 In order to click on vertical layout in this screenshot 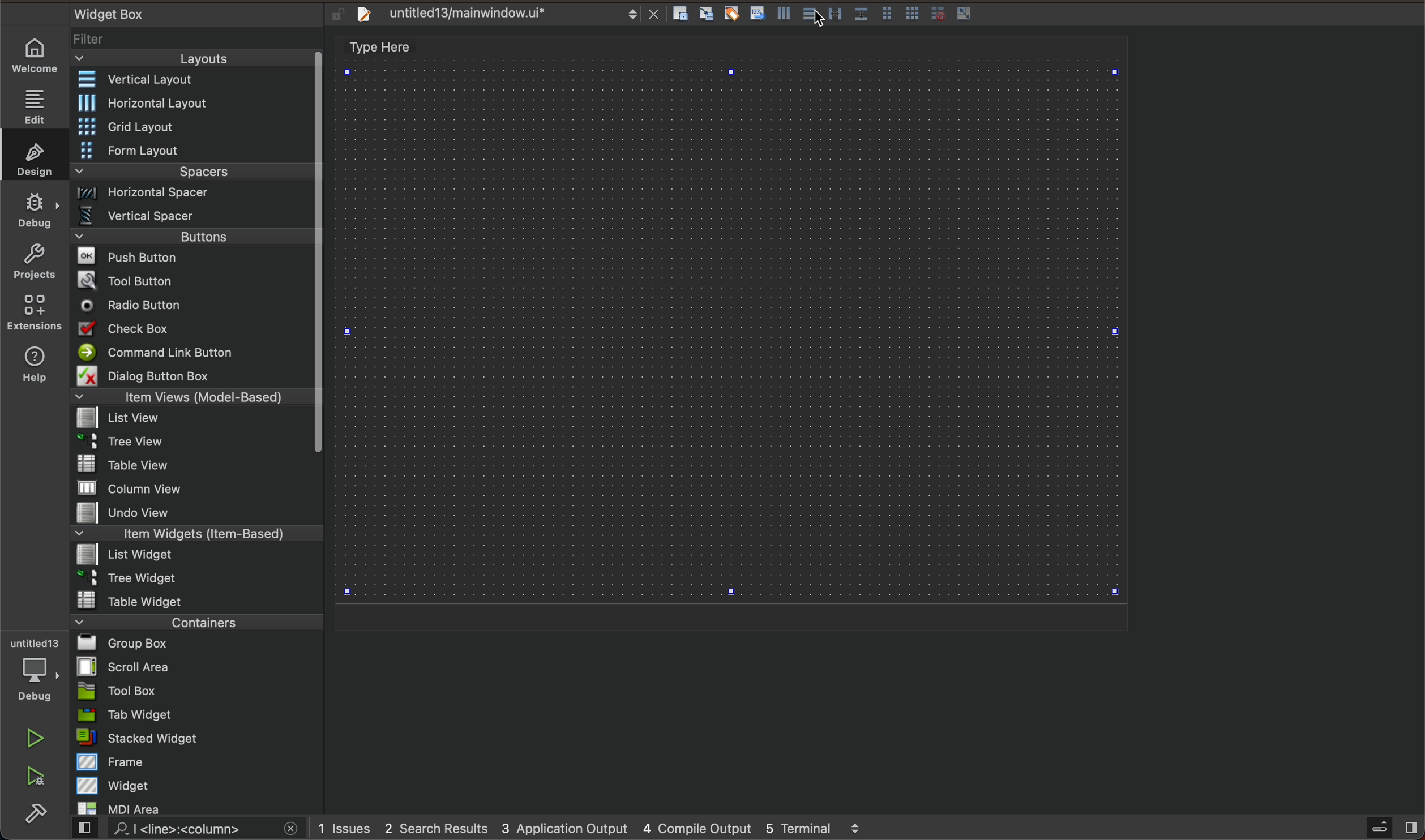, I will do `click(192, 79)`.